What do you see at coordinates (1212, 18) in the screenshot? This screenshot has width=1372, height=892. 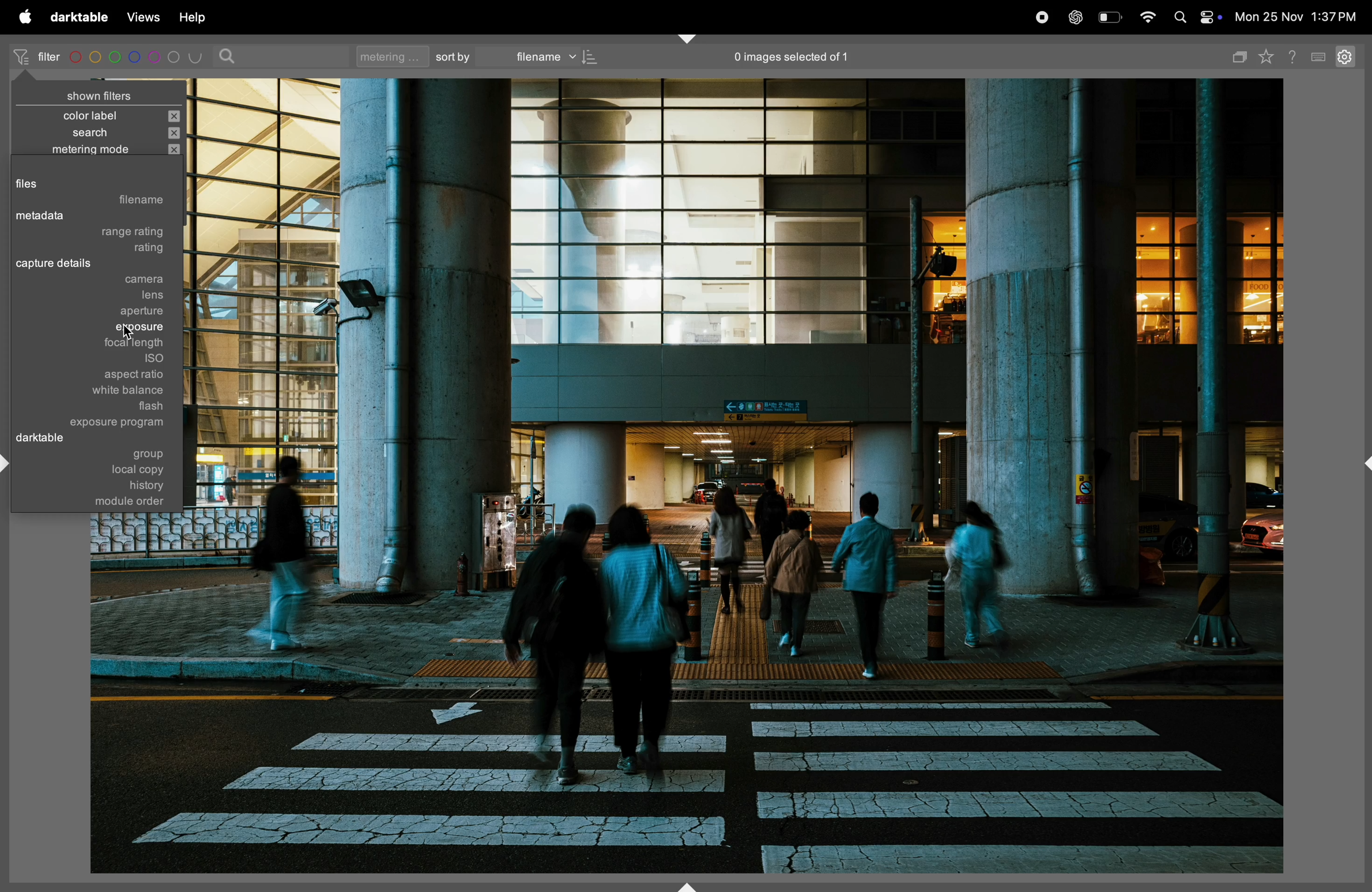 I see `apple widgets` at bounding box center [1212, 18].